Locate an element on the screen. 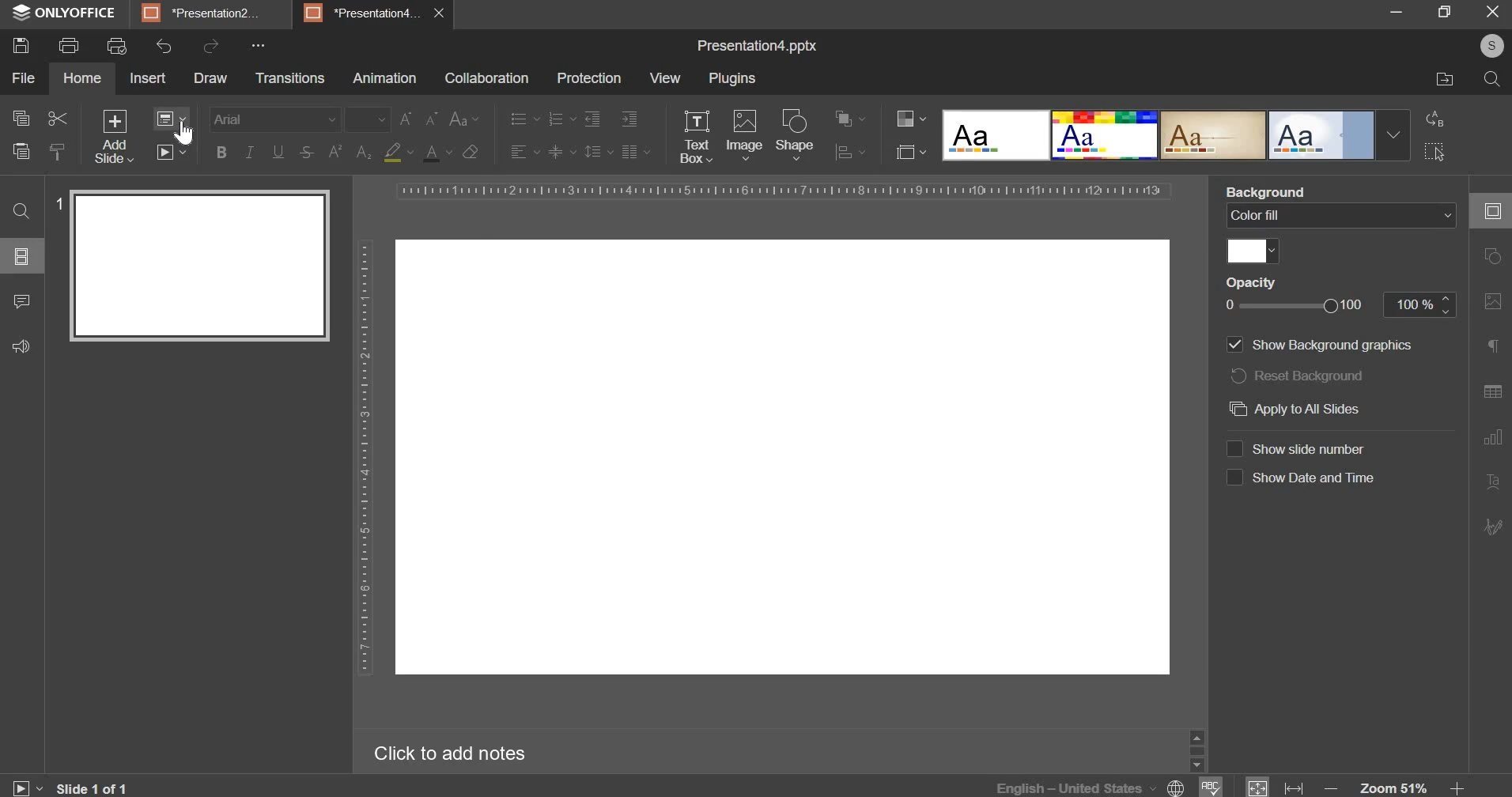 This screenshot has height=797, width=1512. show background graphics is located at coordinates (1234, 345).